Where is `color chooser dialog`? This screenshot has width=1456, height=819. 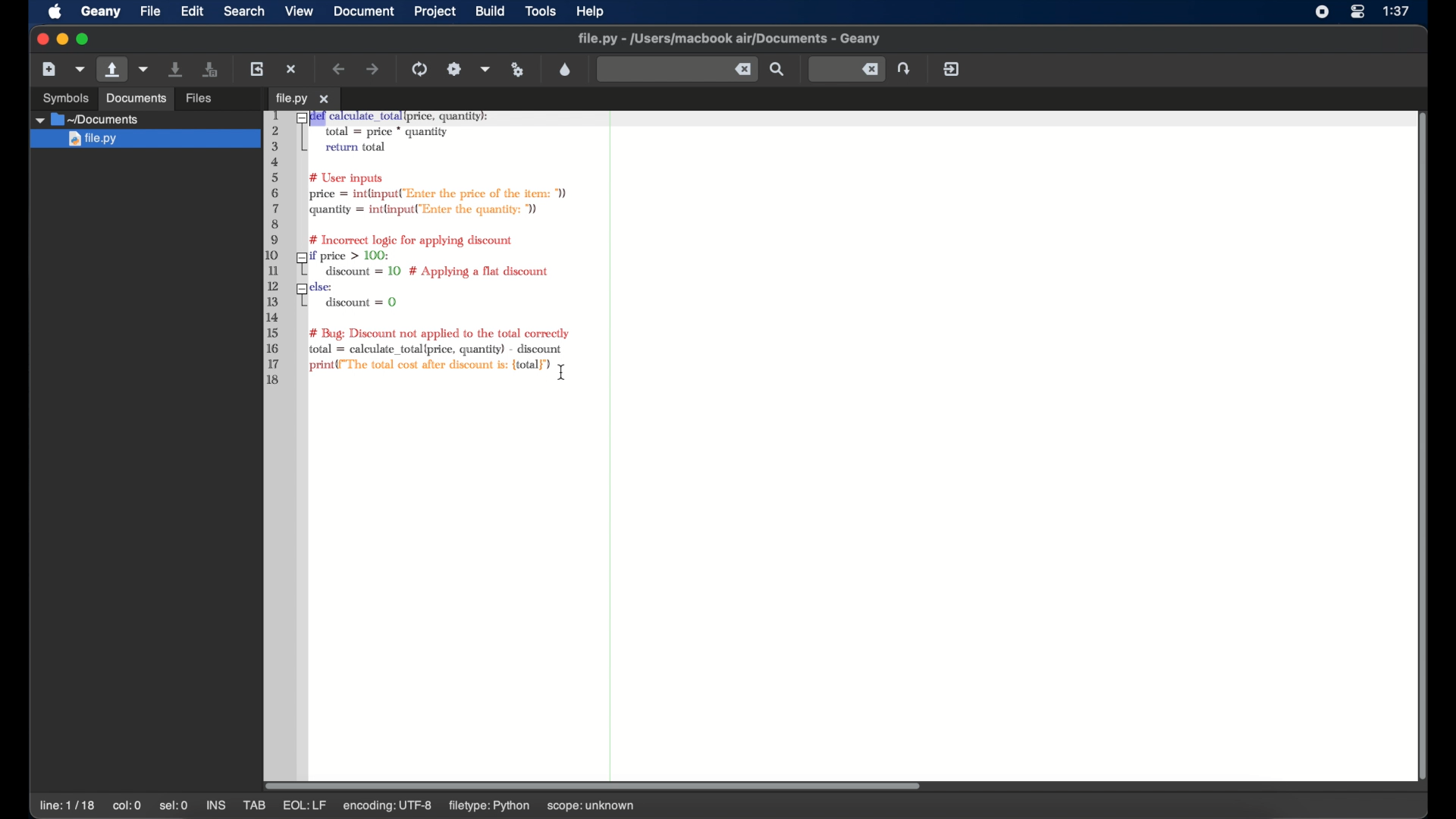 color chooser dialog is located at coordinates (565, 69).